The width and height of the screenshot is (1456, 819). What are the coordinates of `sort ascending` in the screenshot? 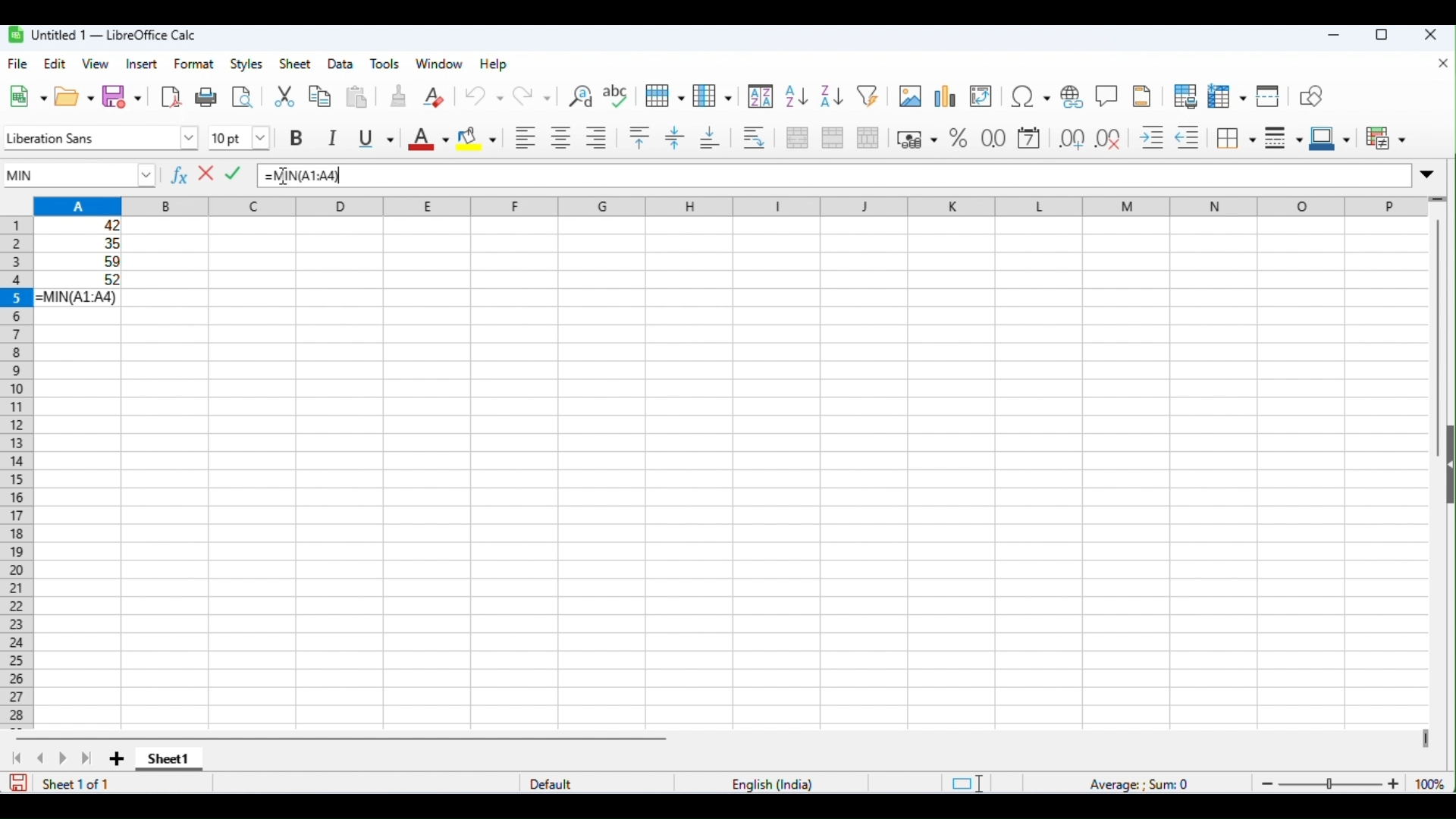 It's located at (797, 96).